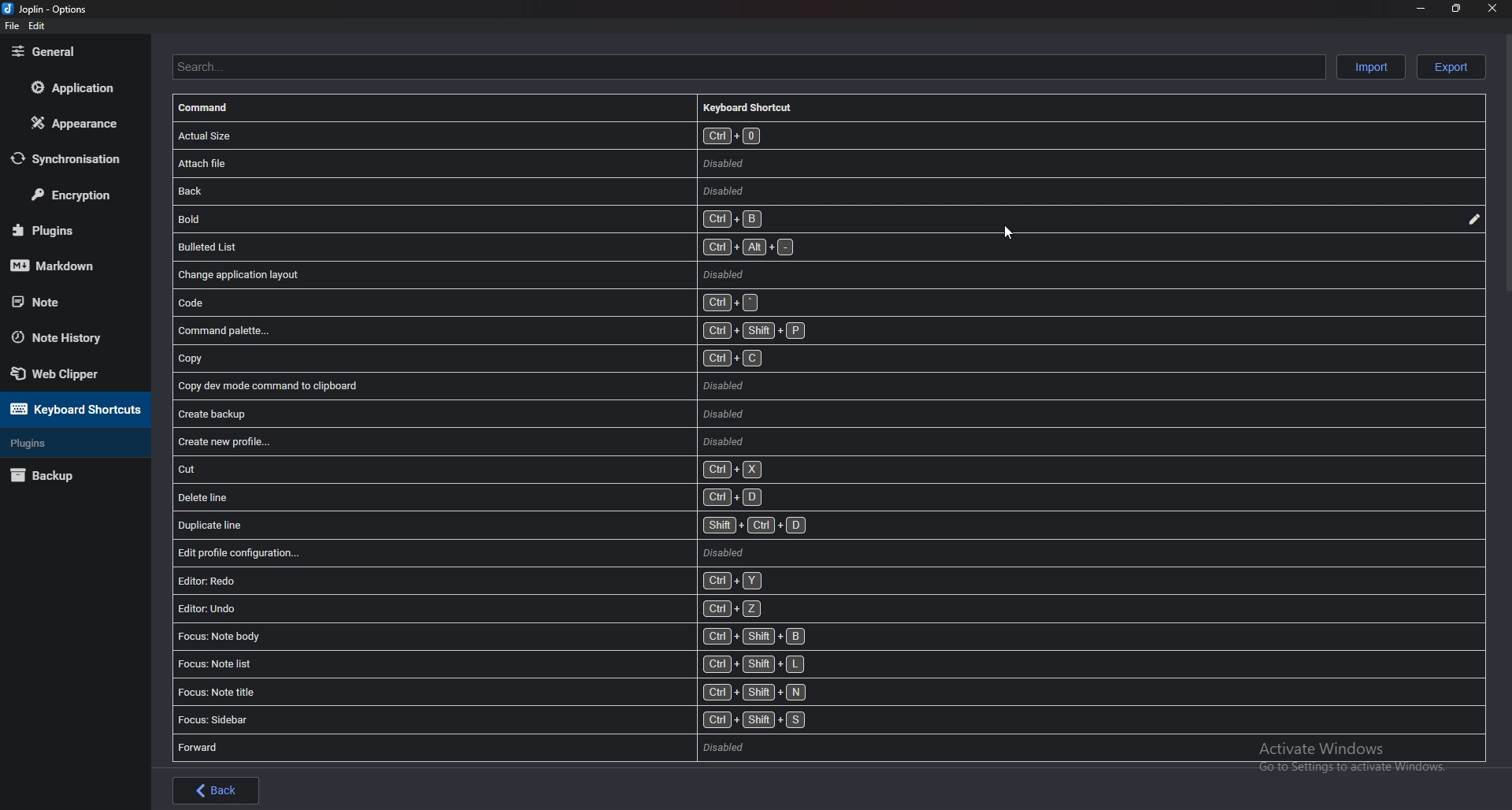 The image size is (1512, 810). What do you see at coordinates (745, 66) in the screenshot?
I see `search` at bounding box center [745, 66].